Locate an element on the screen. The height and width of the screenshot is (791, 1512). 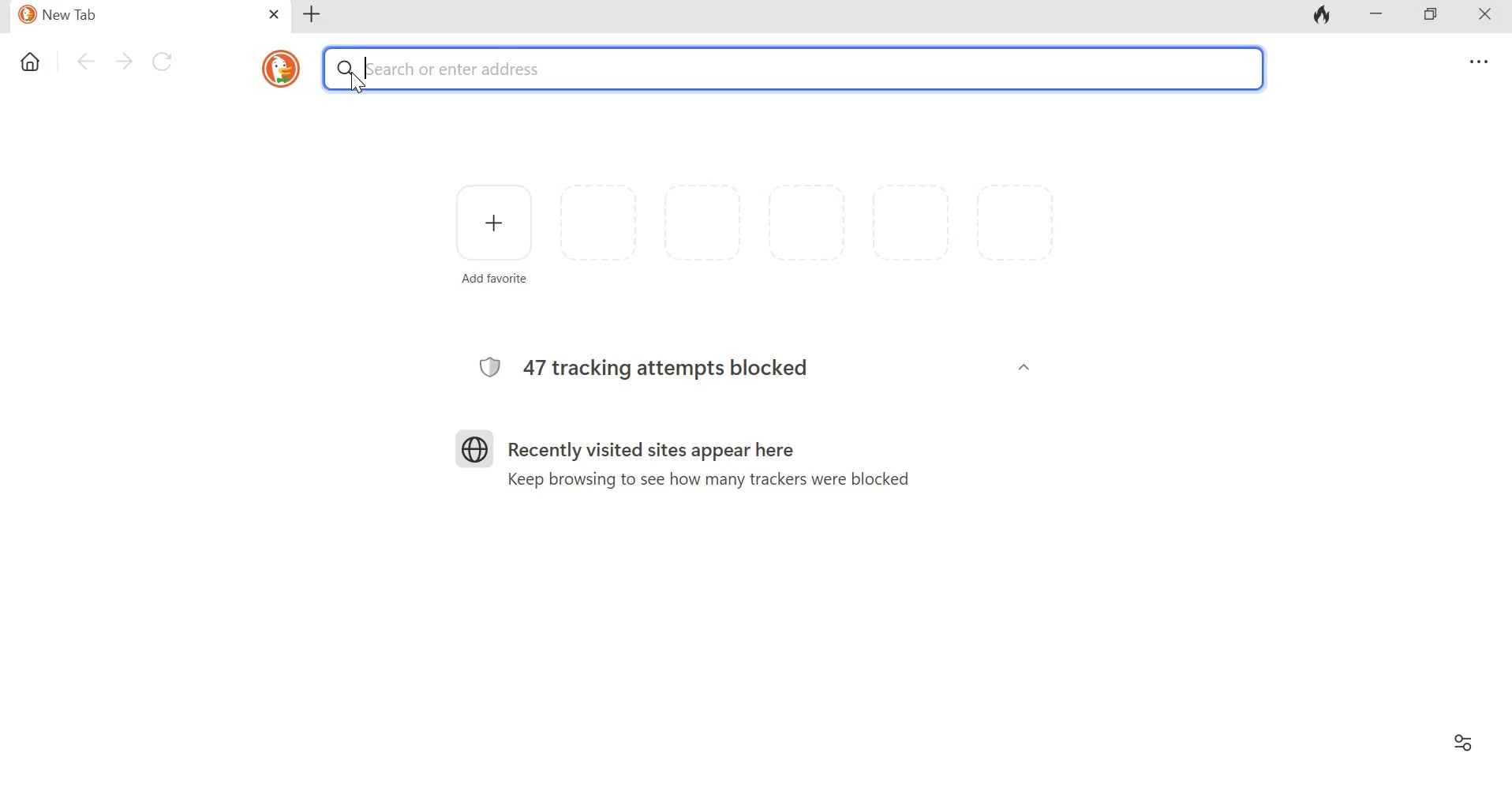
cursor is located at coordinates (364, 84).